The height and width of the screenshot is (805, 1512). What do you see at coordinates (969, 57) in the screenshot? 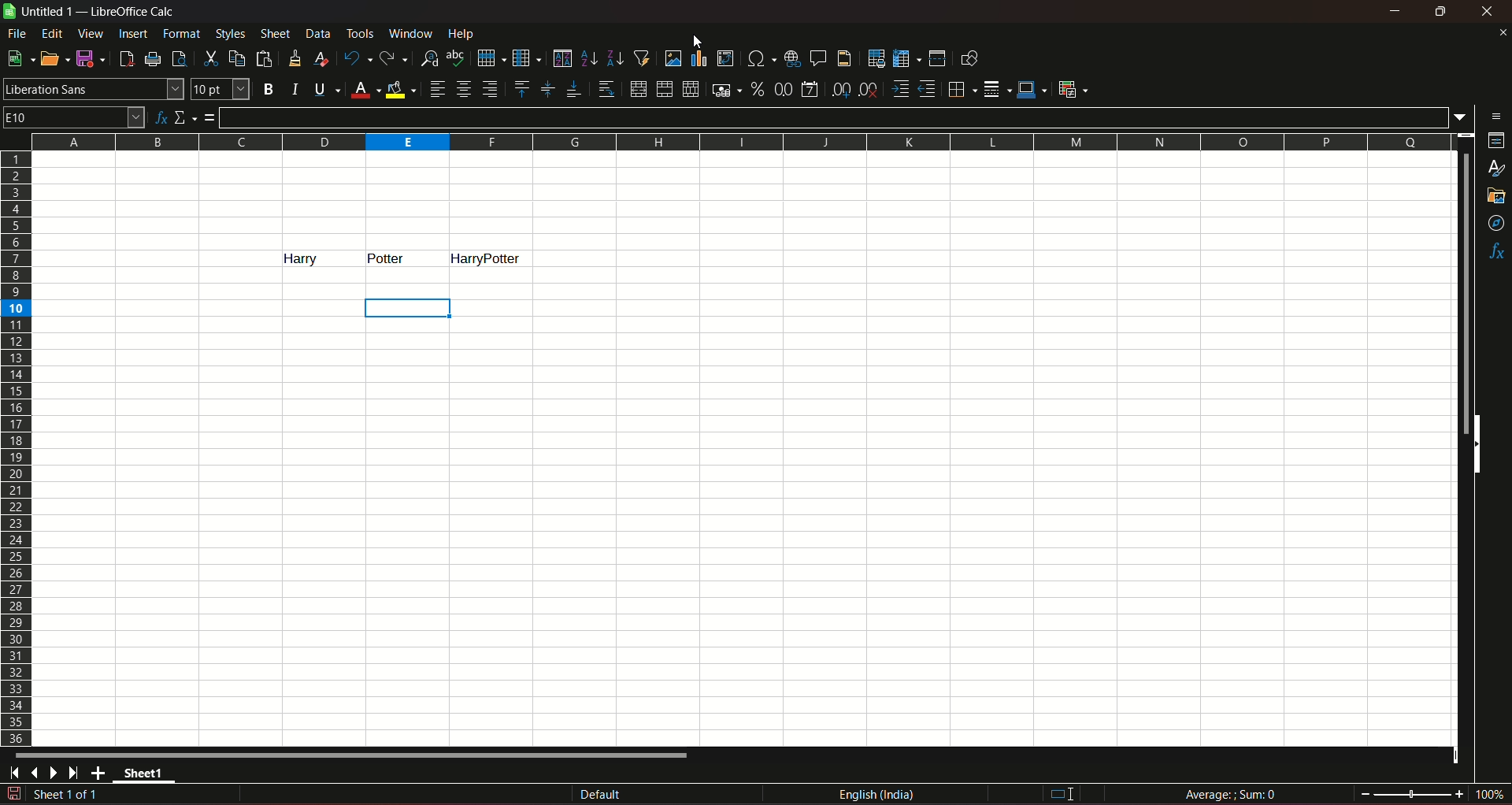
I see `show draw functions` at bounding box center [969, 57].